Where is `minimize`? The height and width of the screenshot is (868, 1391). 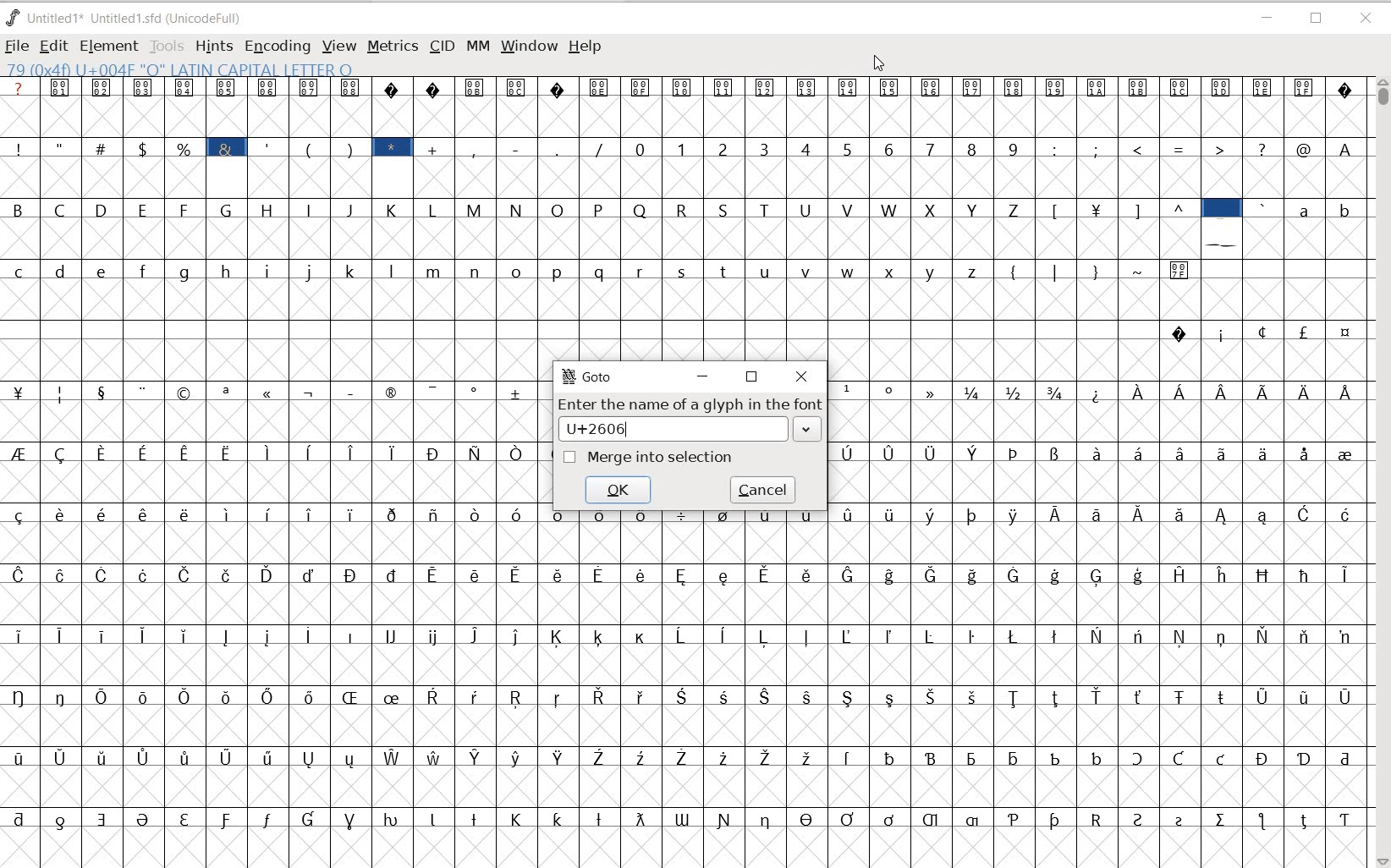 minimize is located at coordinates (701, 376).